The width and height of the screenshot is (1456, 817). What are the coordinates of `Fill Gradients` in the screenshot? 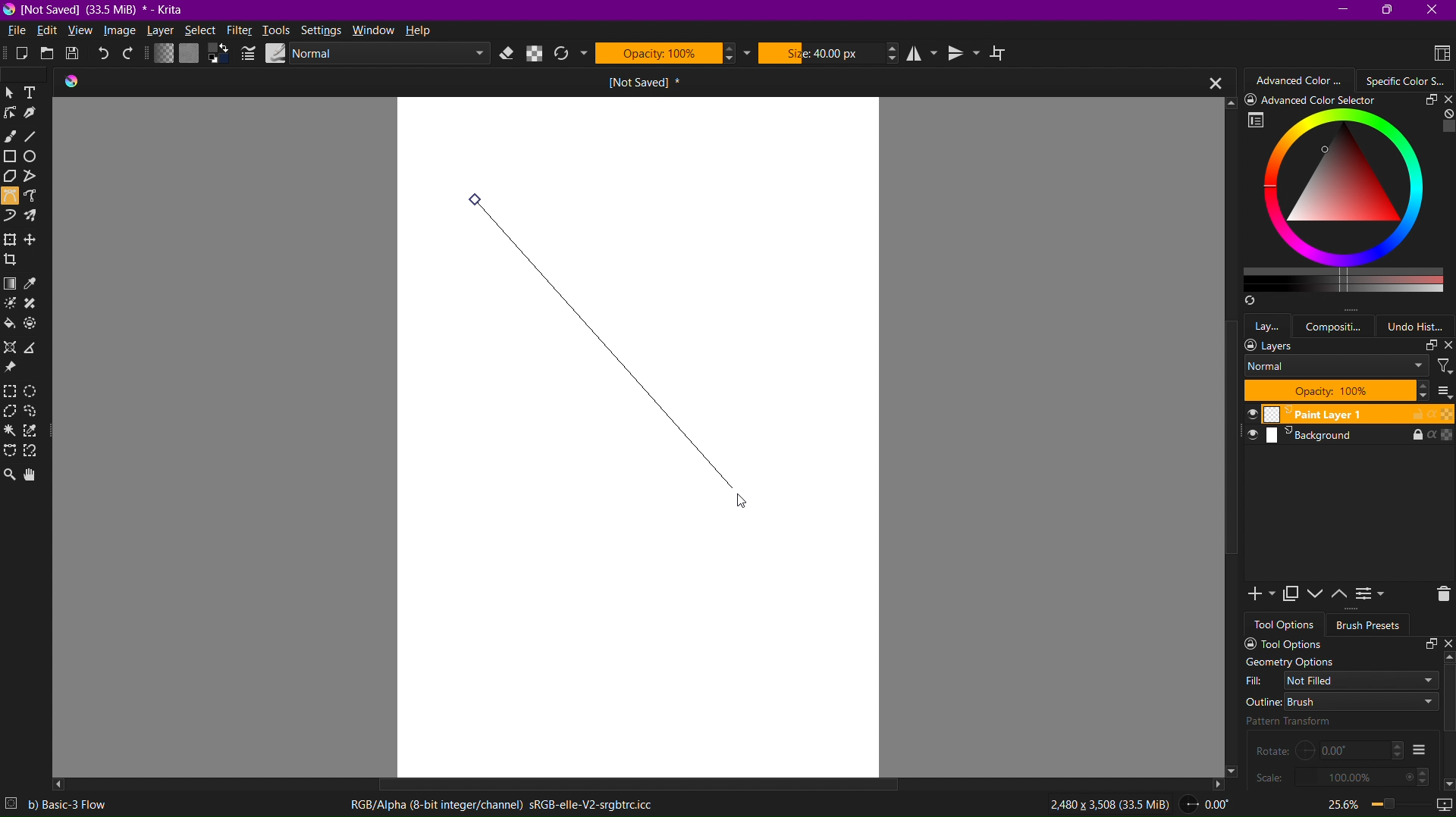 It's located at (162, 55).